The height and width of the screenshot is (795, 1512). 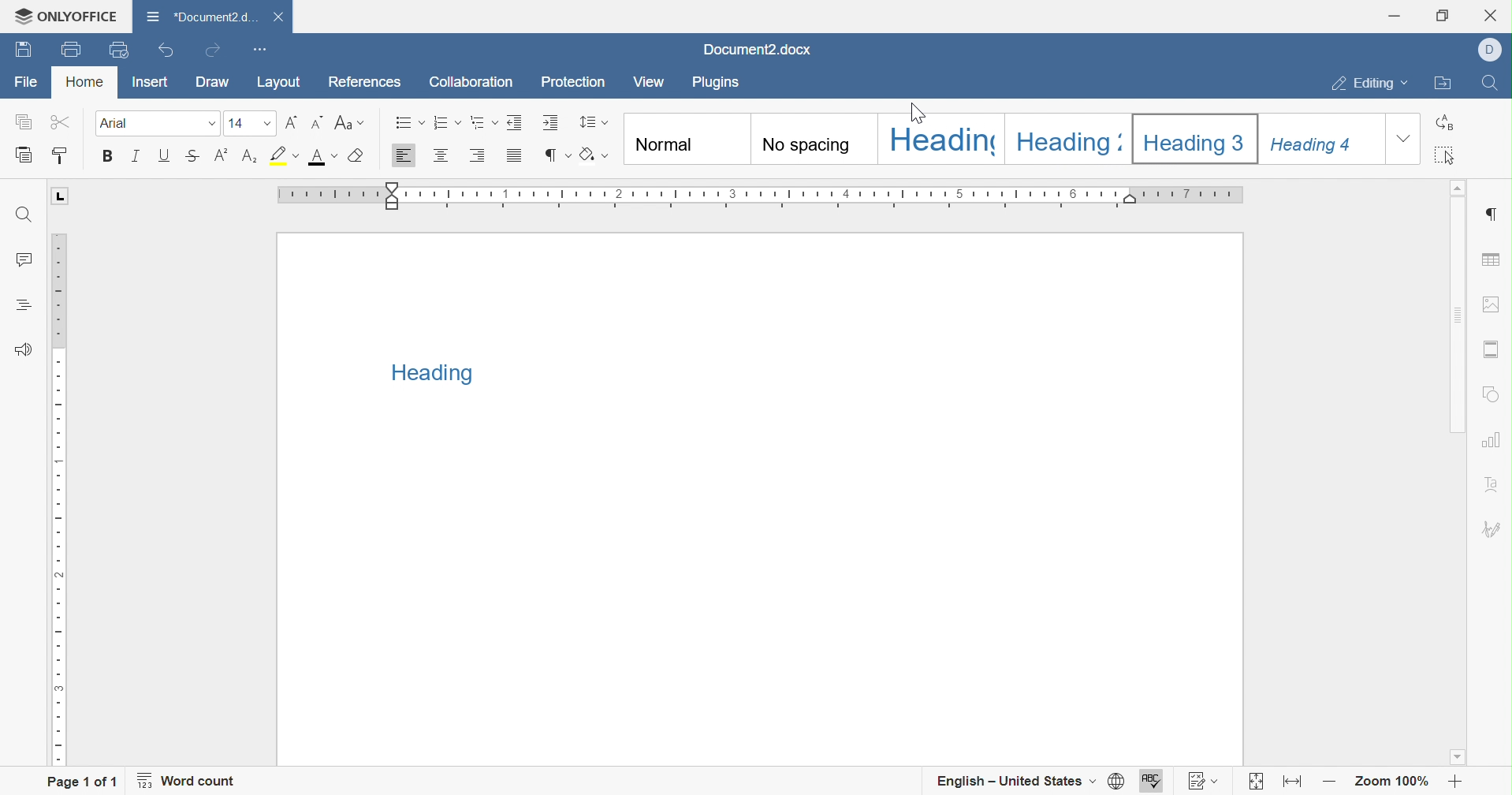 What do you see at coordinates (1495, 348) in the screenshot?
I see `Header and footer settings` at bounding box center [1495, 348].